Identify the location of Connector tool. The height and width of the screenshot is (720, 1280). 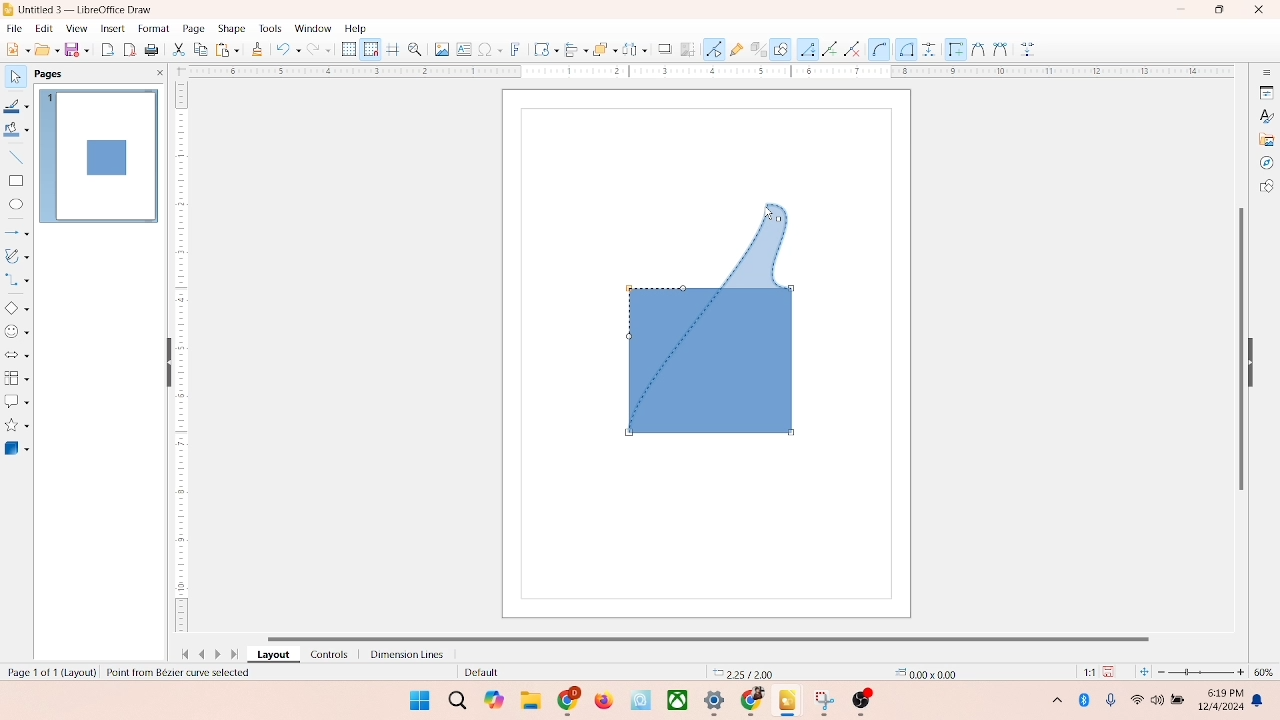
(906, 49).